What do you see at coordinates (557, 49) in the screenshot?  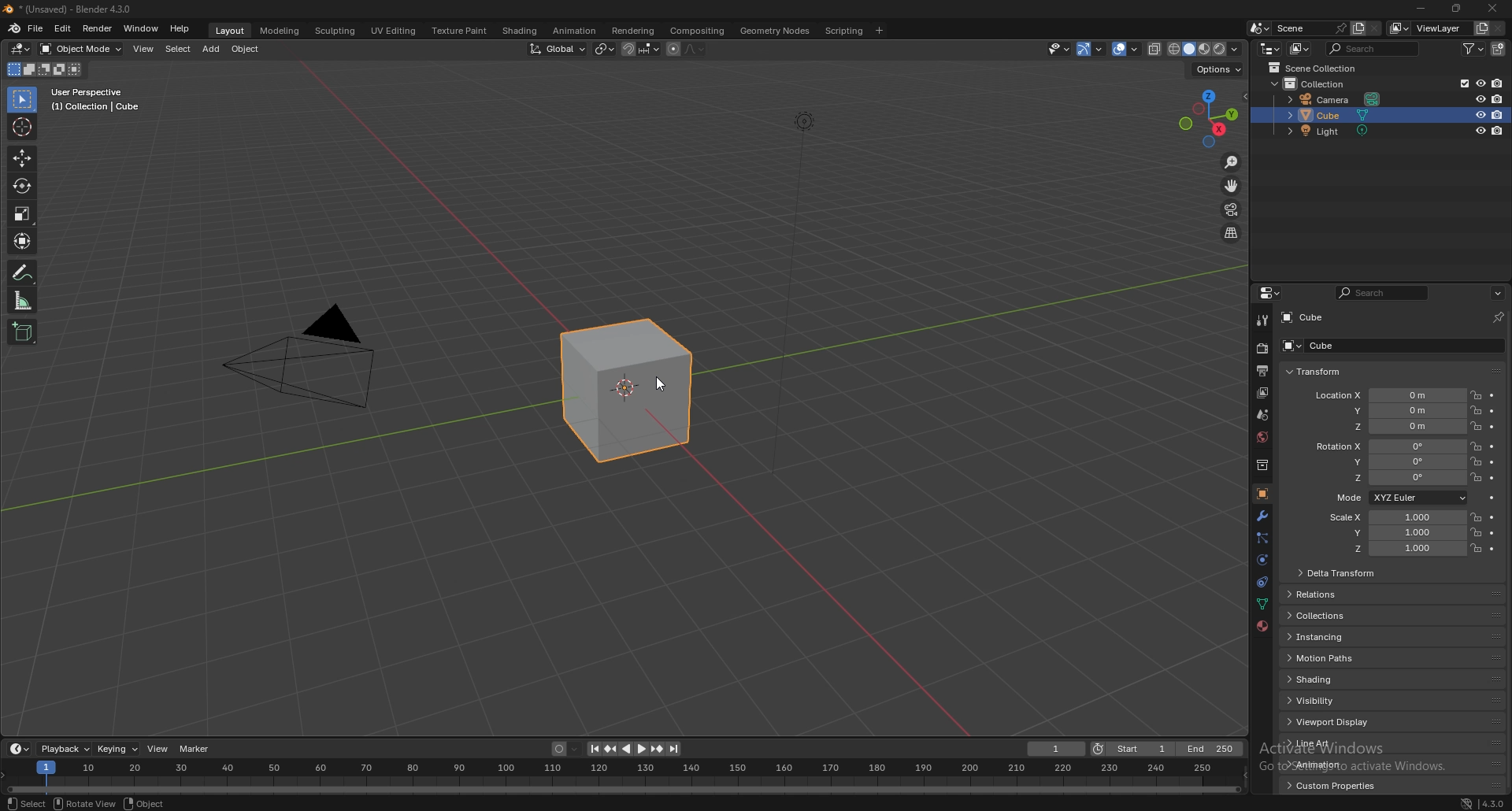 I see `transformation orientation` at bounding box center [557, 49].